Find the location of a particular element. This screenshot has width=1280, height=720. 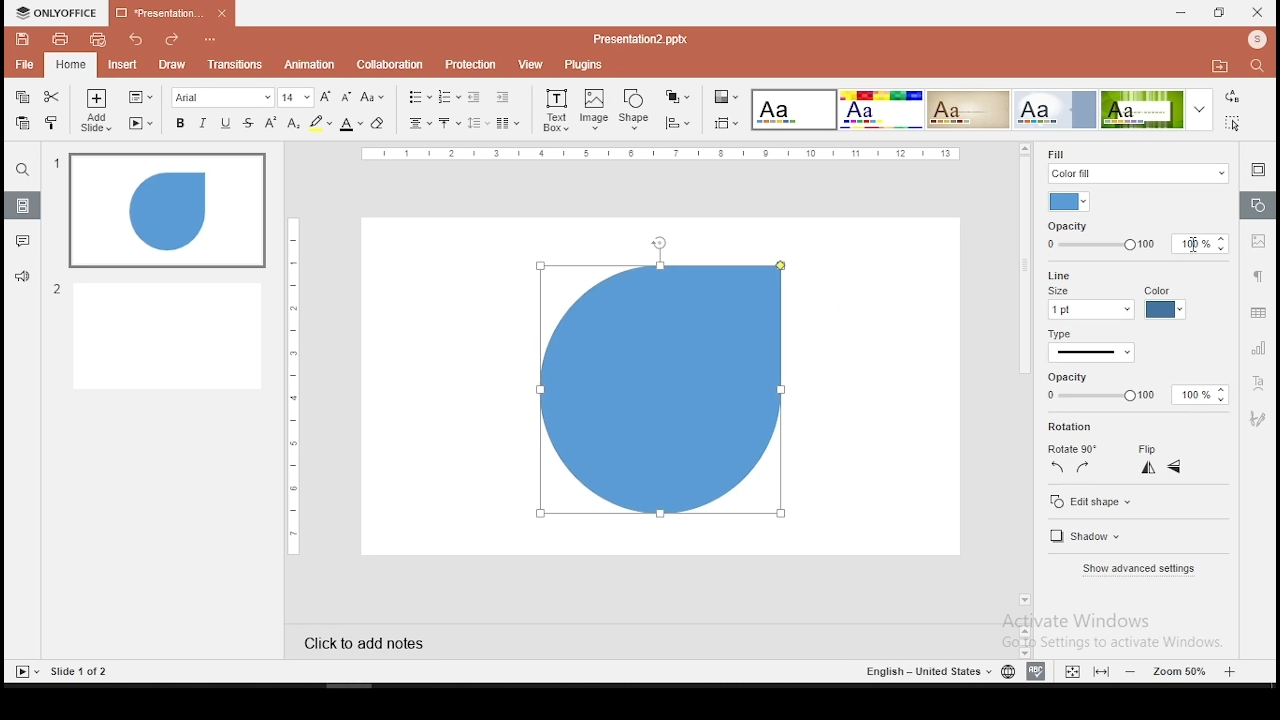

strikethrough is located at coordinates (249, 122).